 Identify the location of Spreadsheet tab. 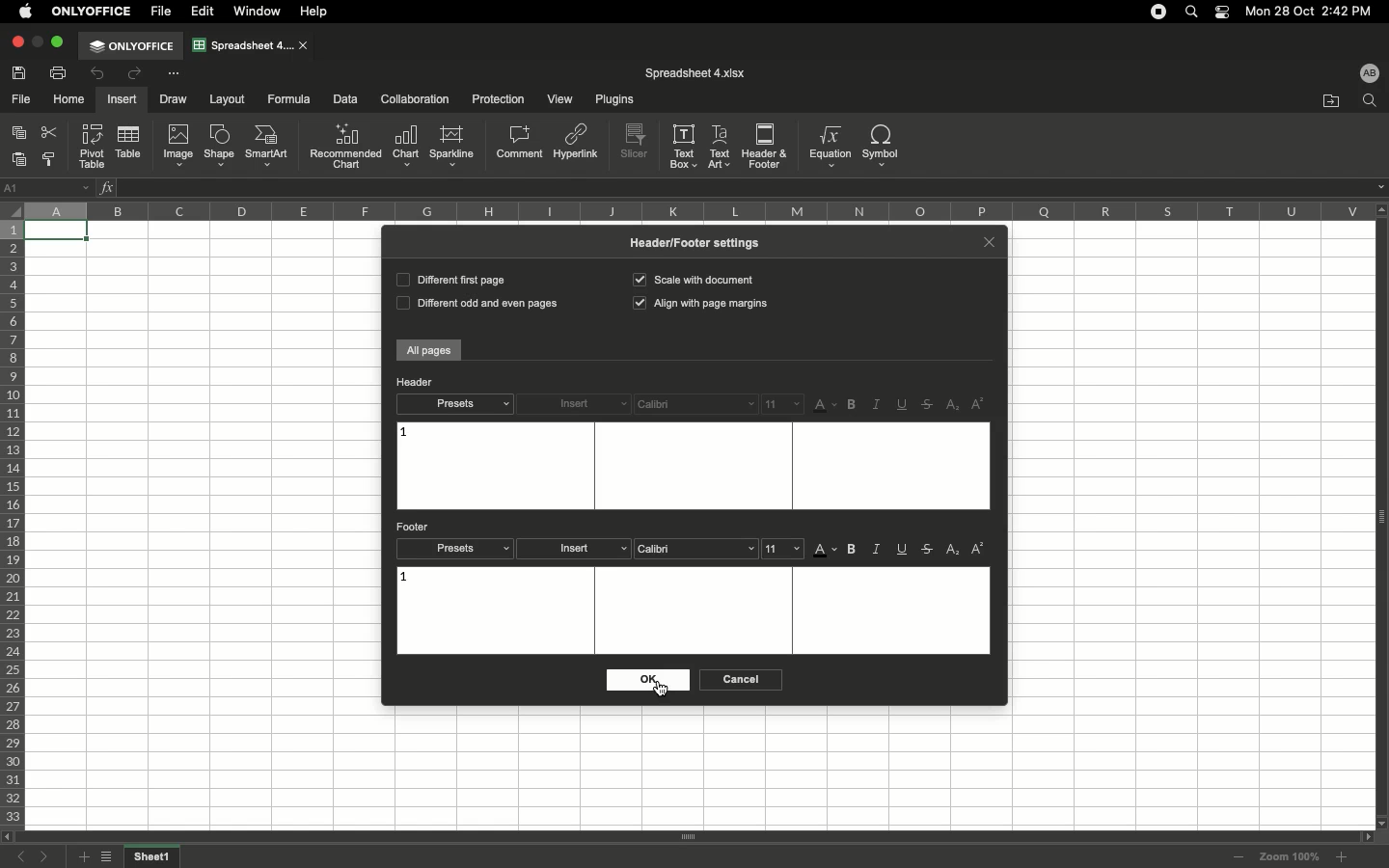
(243, 44).